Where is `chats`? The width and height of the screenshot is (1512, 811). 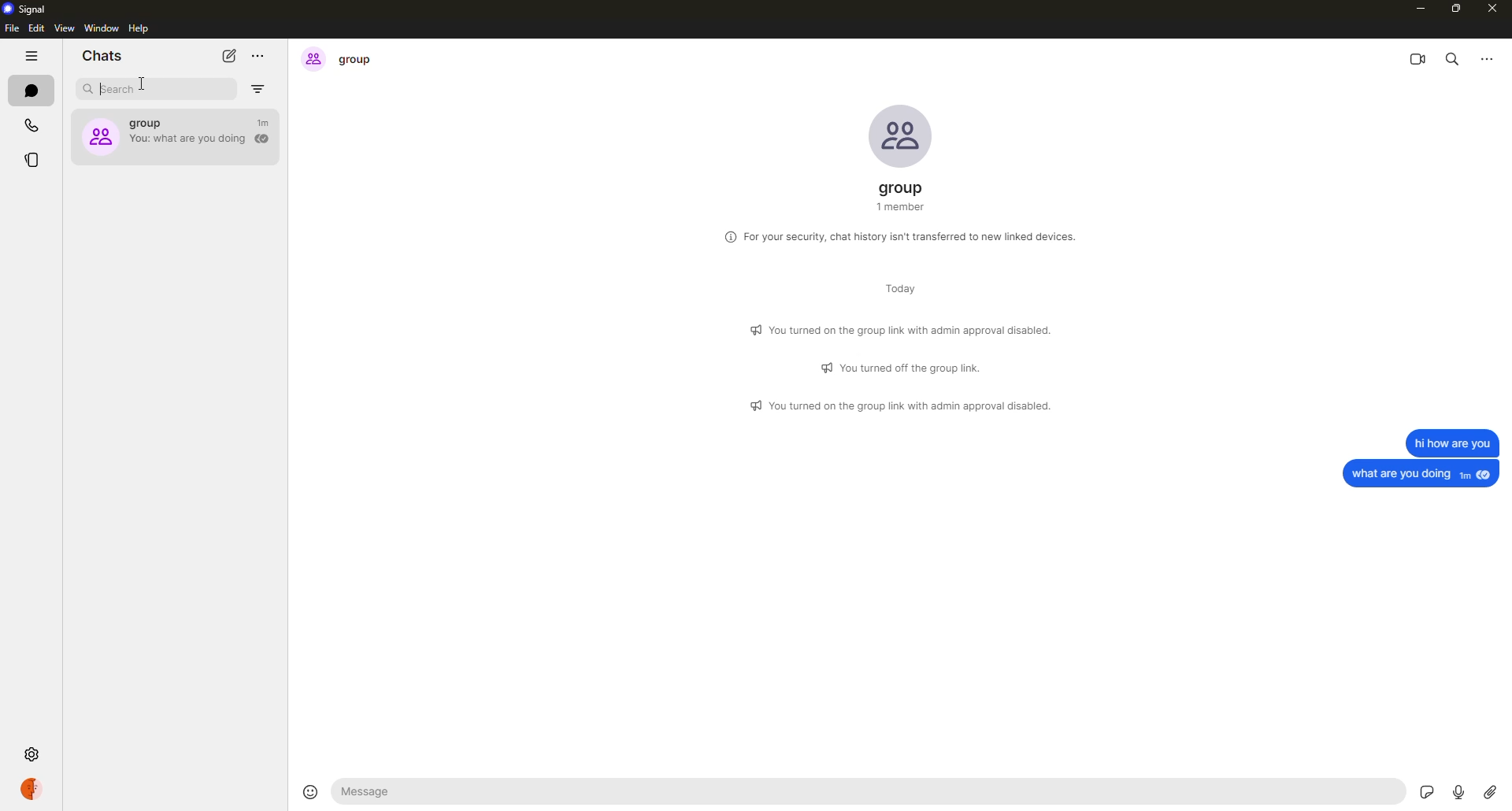
chats is located at coordinates (30, 89).